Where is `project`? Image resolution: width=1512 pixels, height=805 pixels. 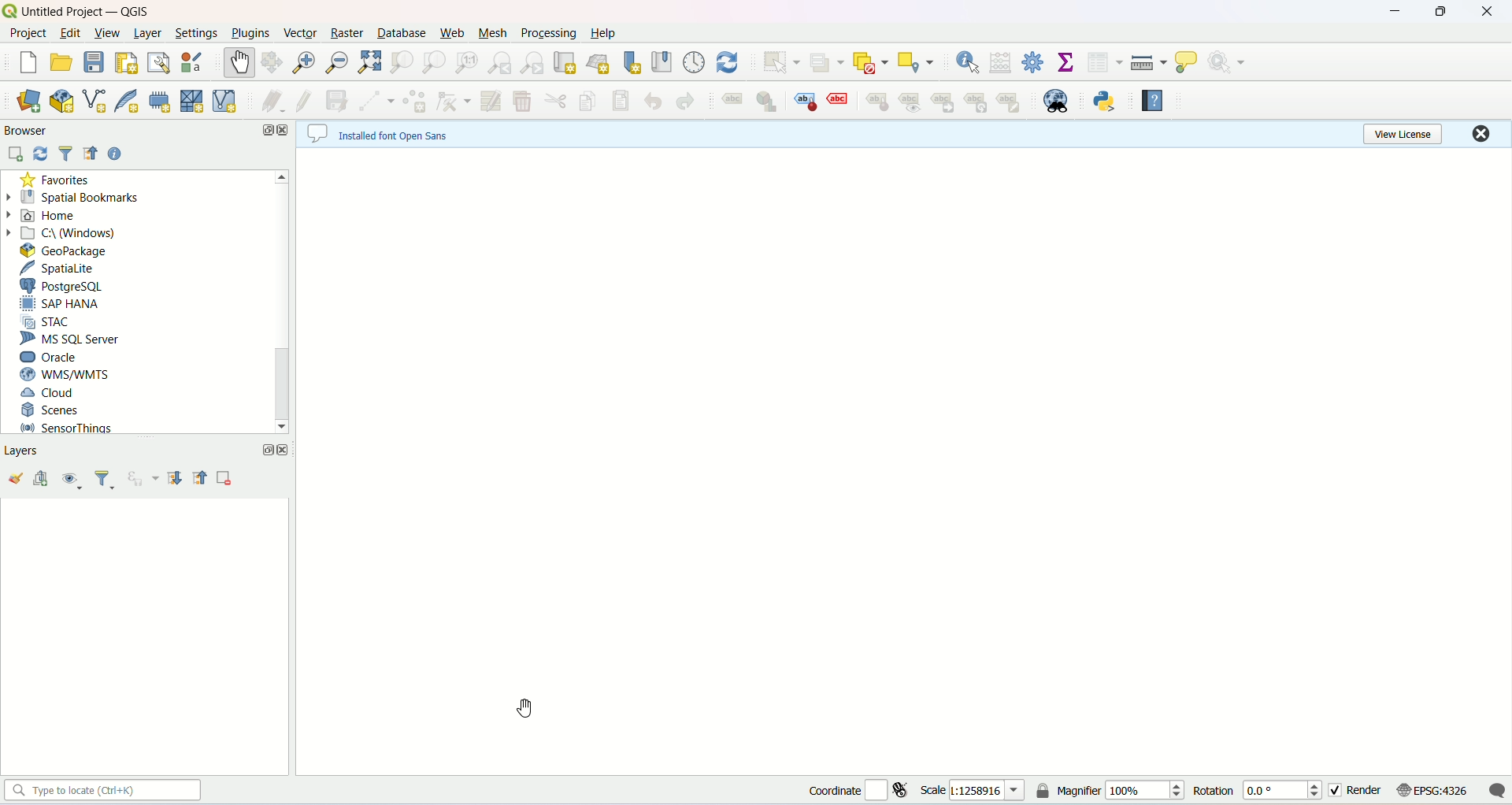
project is located at coordinates (26, 35).